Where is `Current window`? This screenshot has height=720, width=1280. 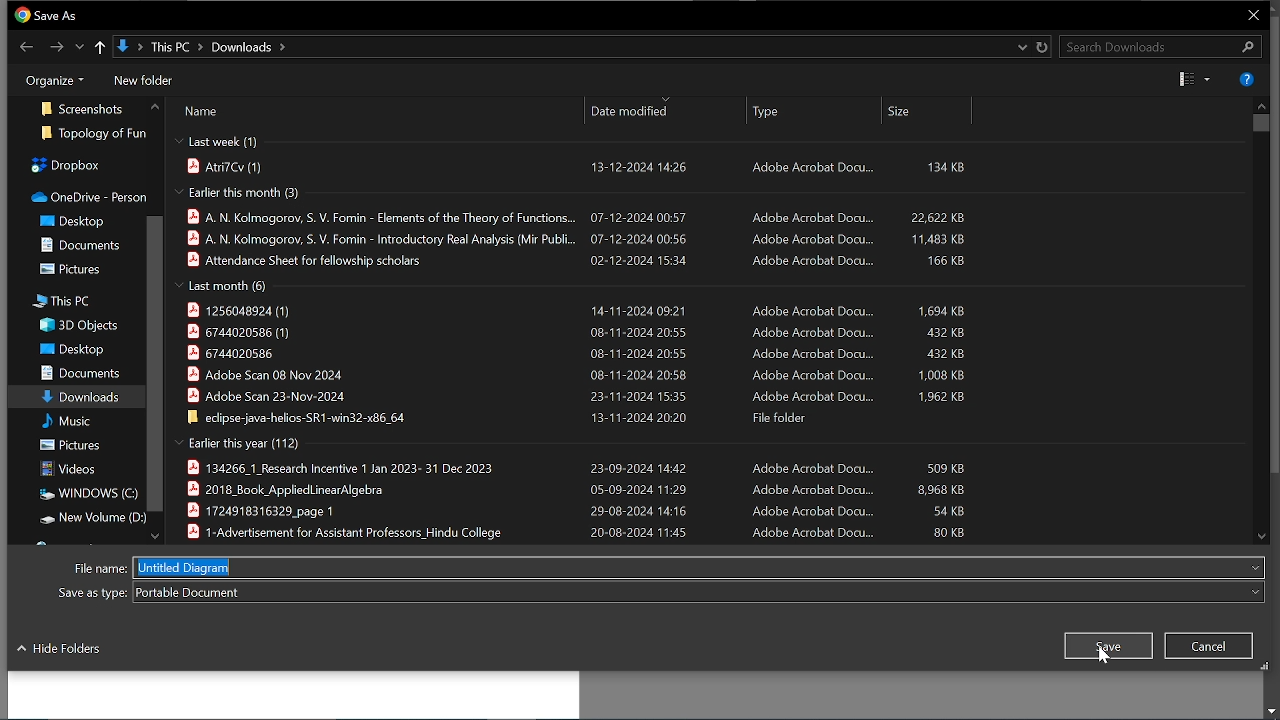 Current window is located at coordinates (50, 18).